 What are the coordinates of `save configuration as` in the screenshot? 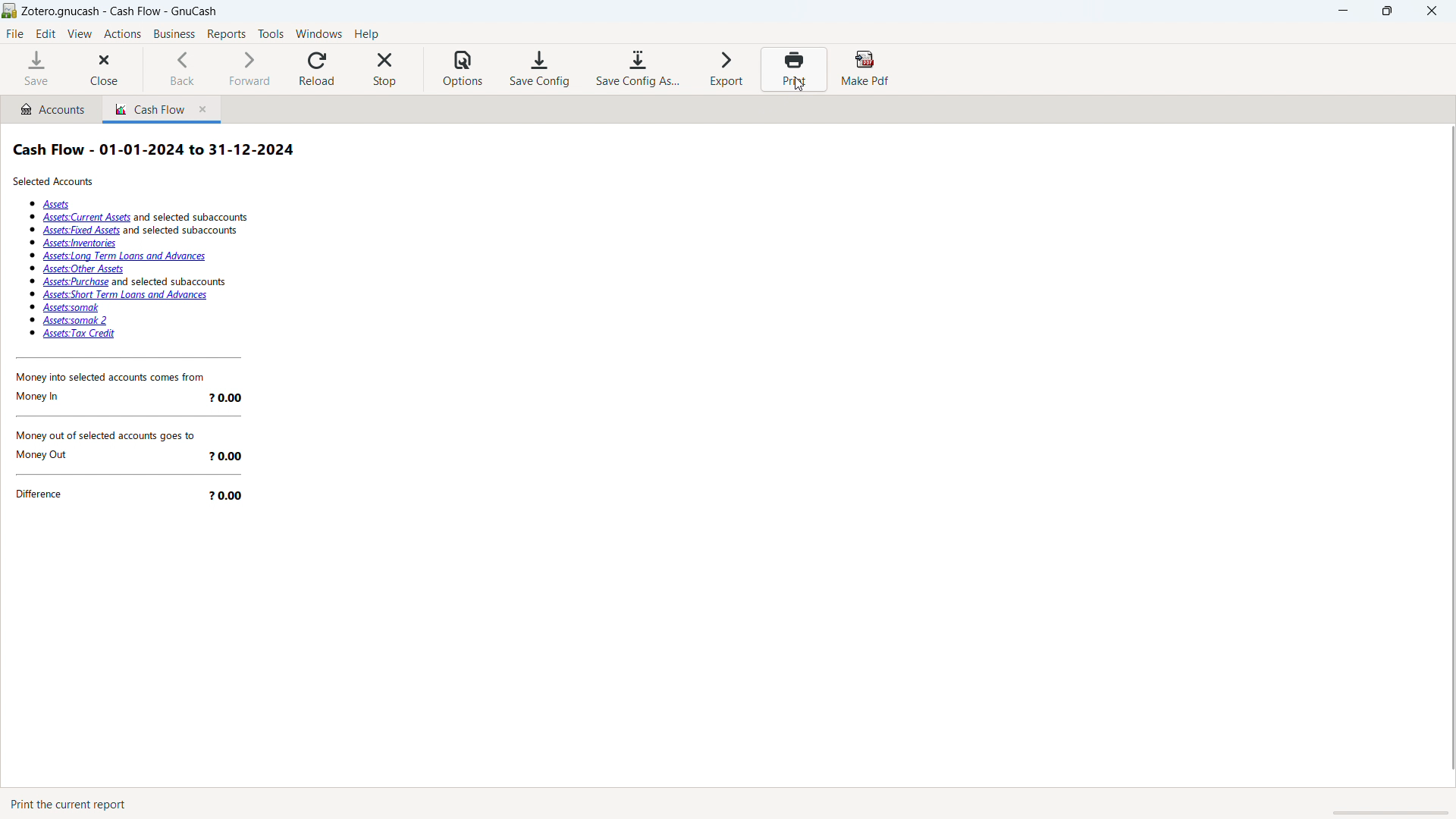 It's located at (639, 69).